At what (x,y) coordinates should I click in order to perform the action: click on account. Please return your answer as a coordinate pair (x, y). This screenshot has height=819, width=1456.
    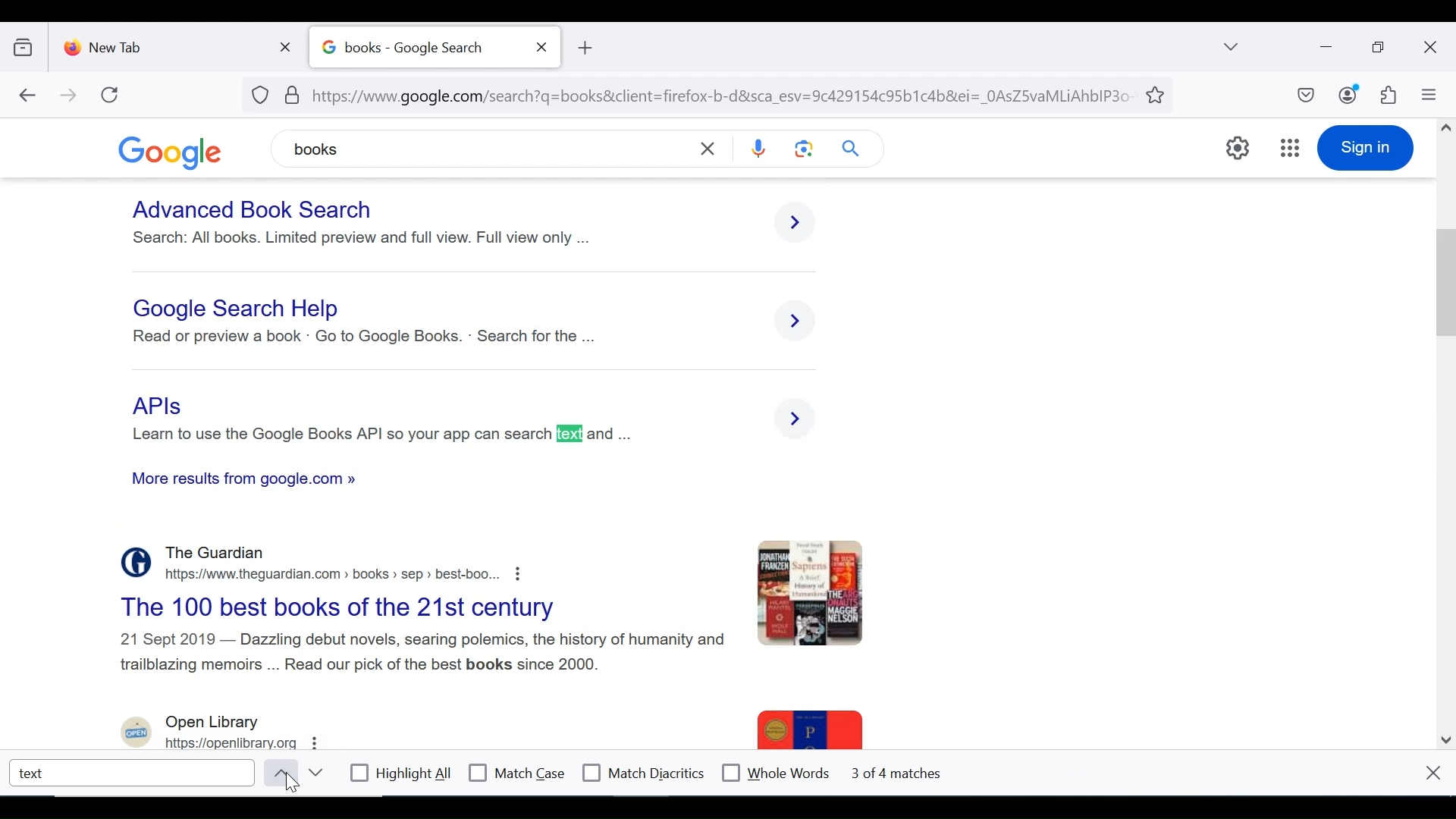
    Looking at the image, I should click on (1349, 94).